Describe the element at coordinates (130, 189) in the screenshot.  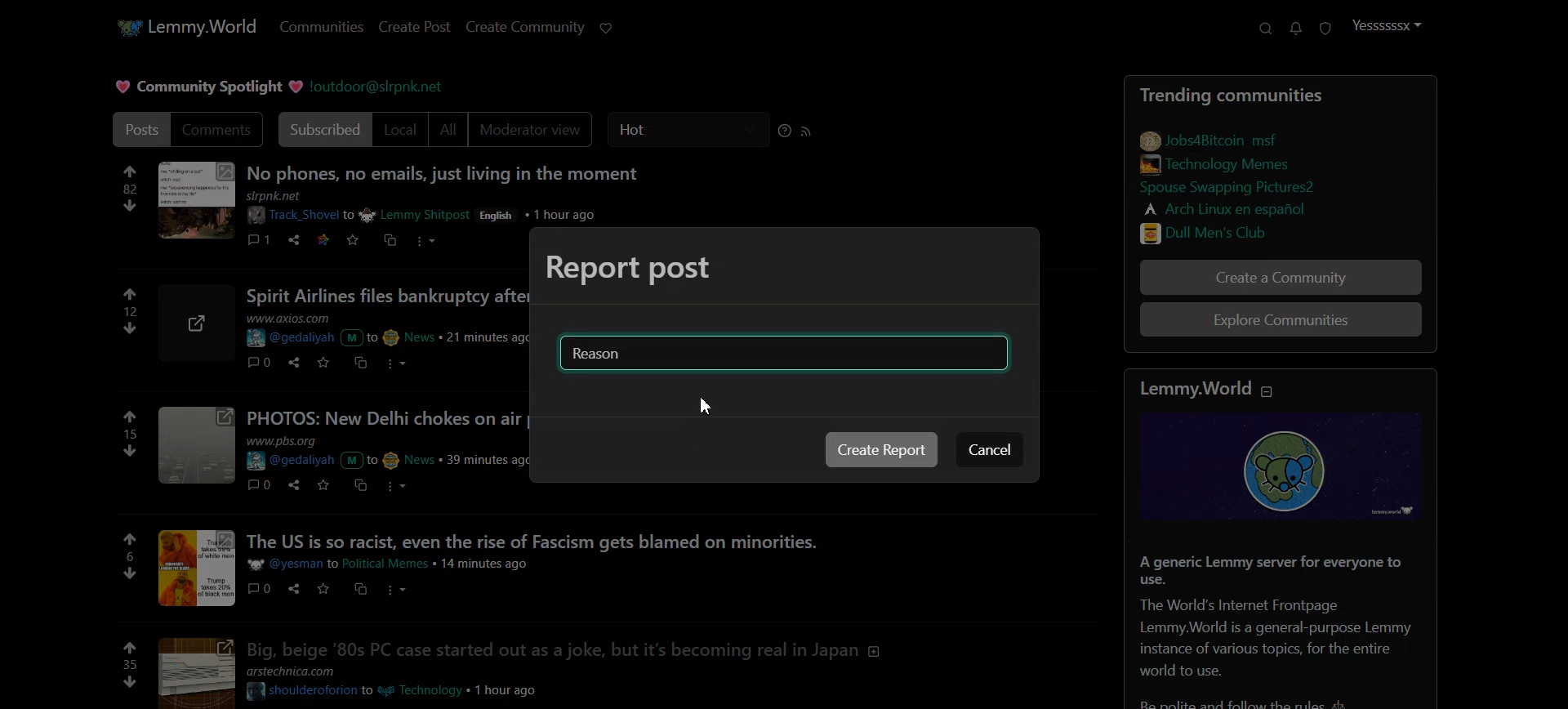
I see `numbers` at that location.